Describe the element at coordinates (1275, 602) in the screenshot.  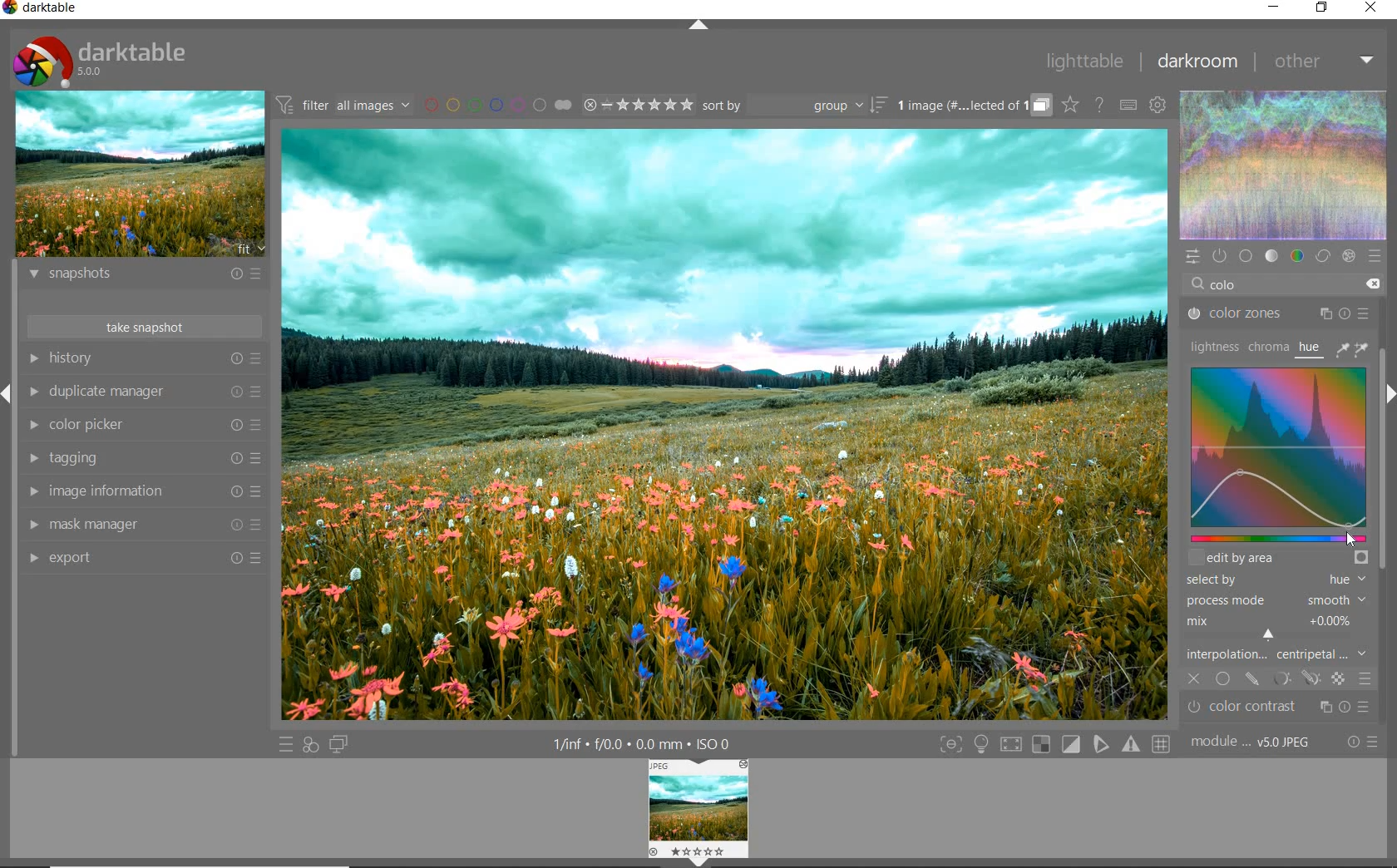
I see `process mode` at that location.